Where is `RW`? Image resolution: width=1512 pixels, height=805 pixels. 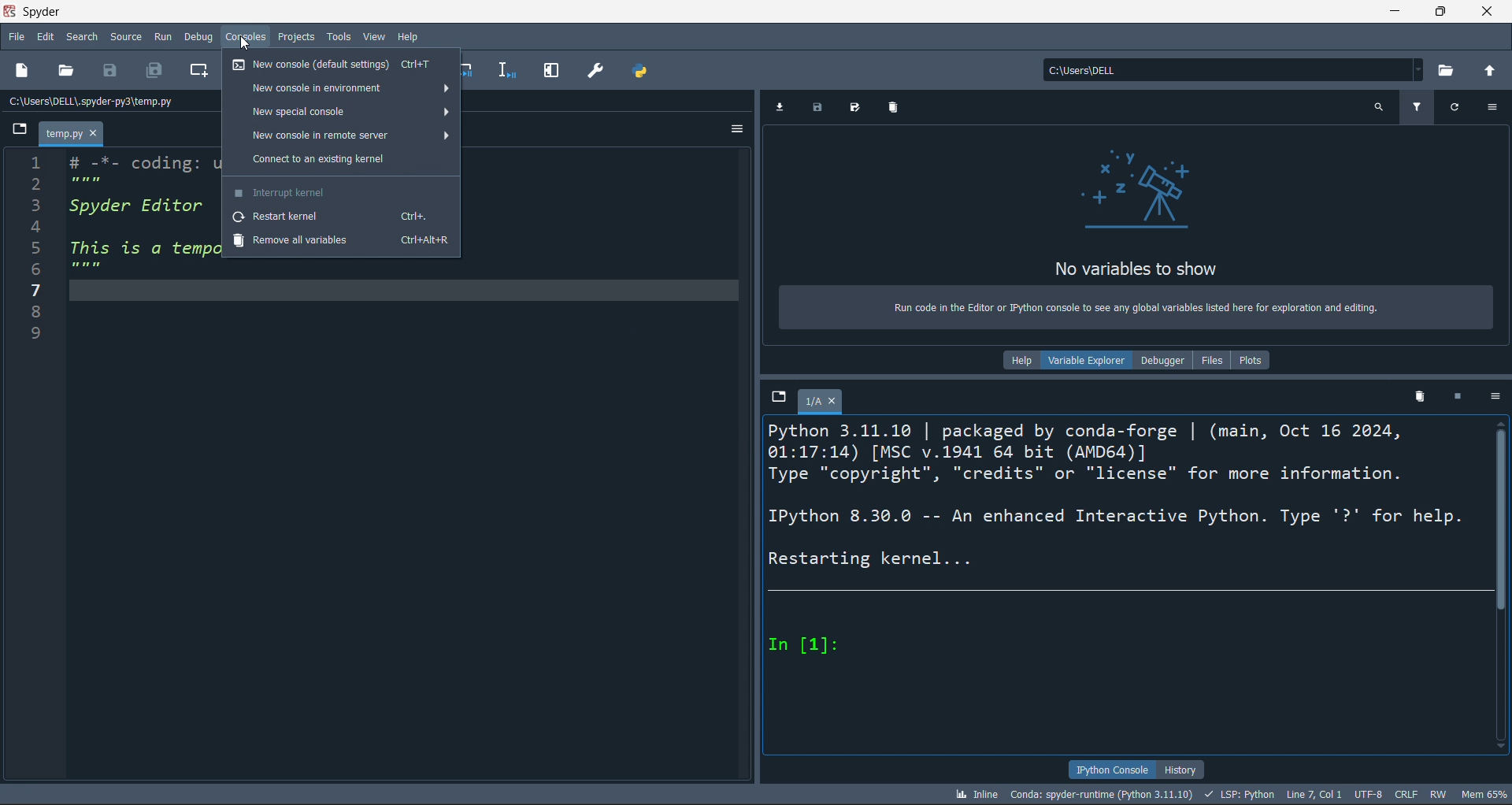
RW is located at coordinates (1438, 796).